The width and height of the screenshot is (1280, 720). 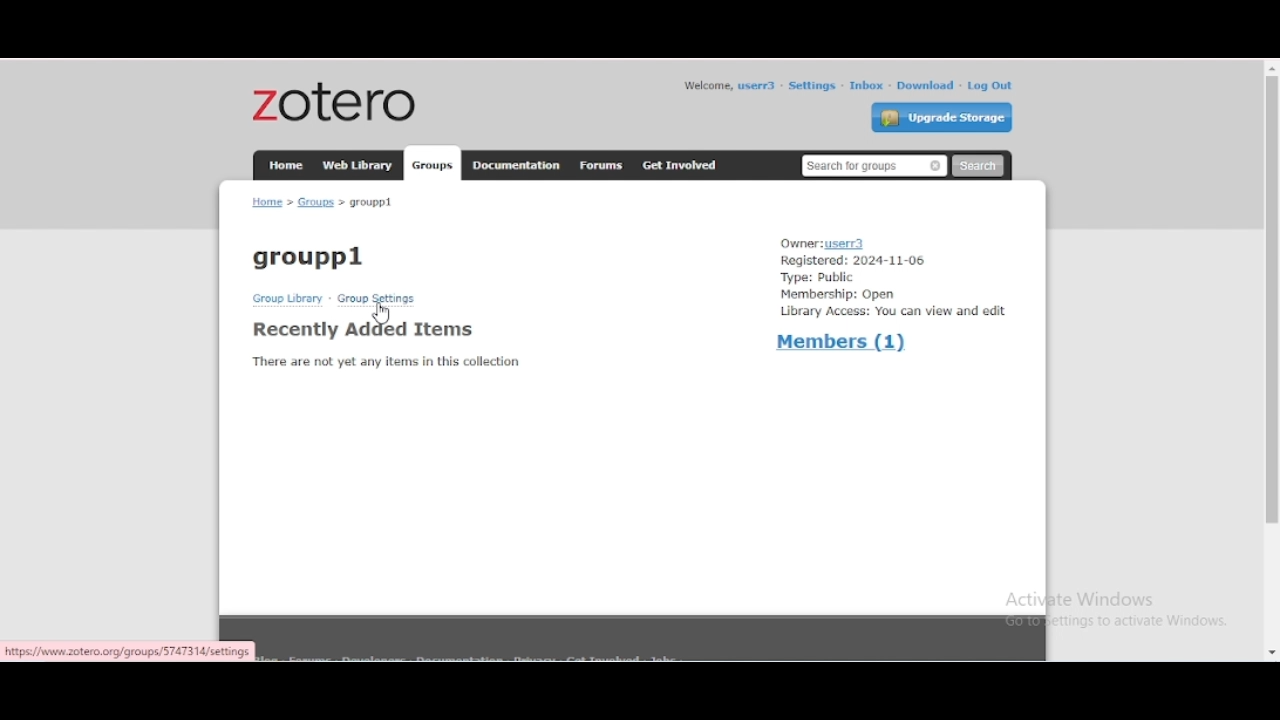 I want to click on membership, so click(x=838, y=295).